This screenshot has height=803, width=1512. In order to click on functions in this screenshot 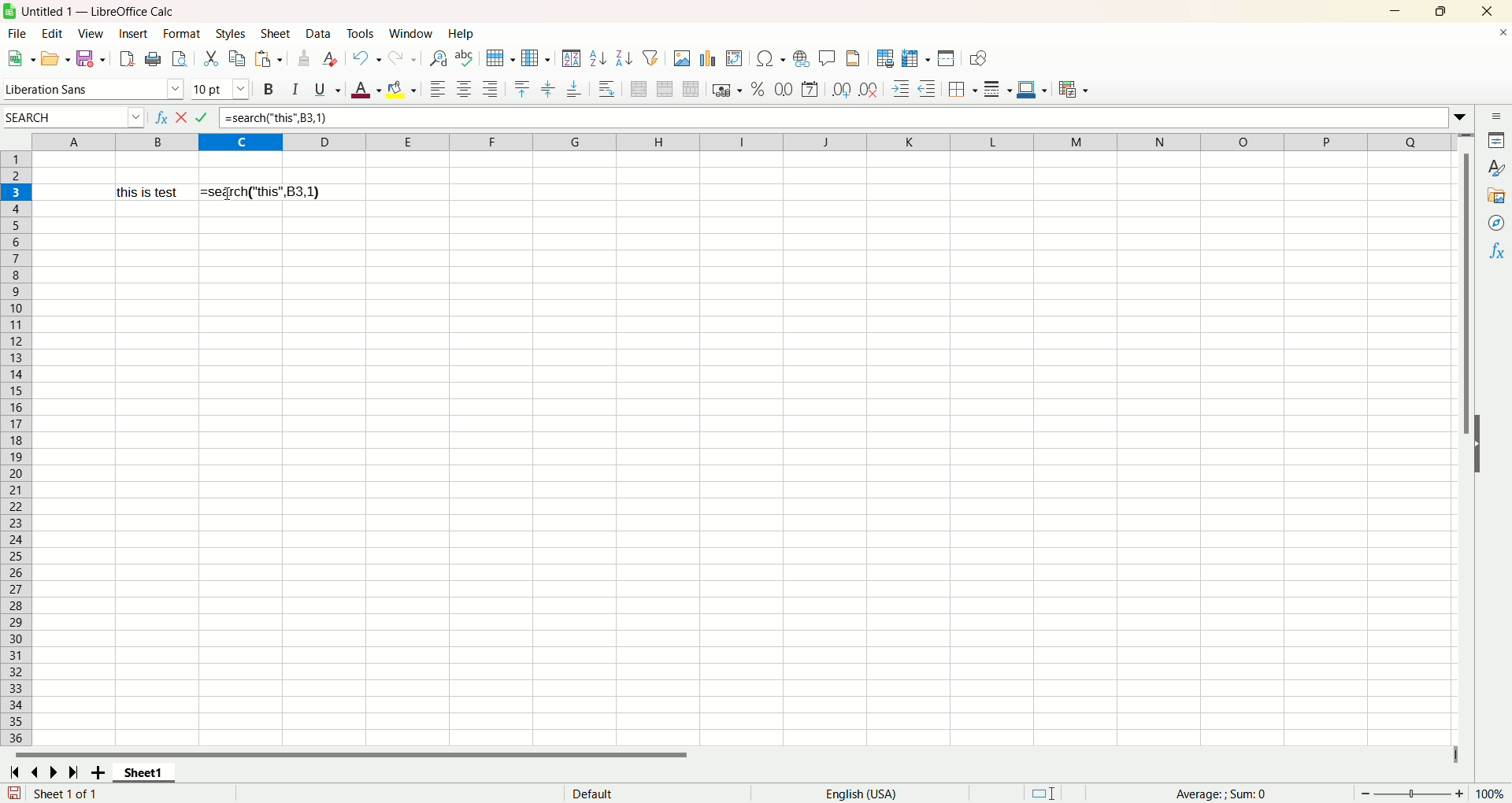, I will do `click(1214, 792)`.